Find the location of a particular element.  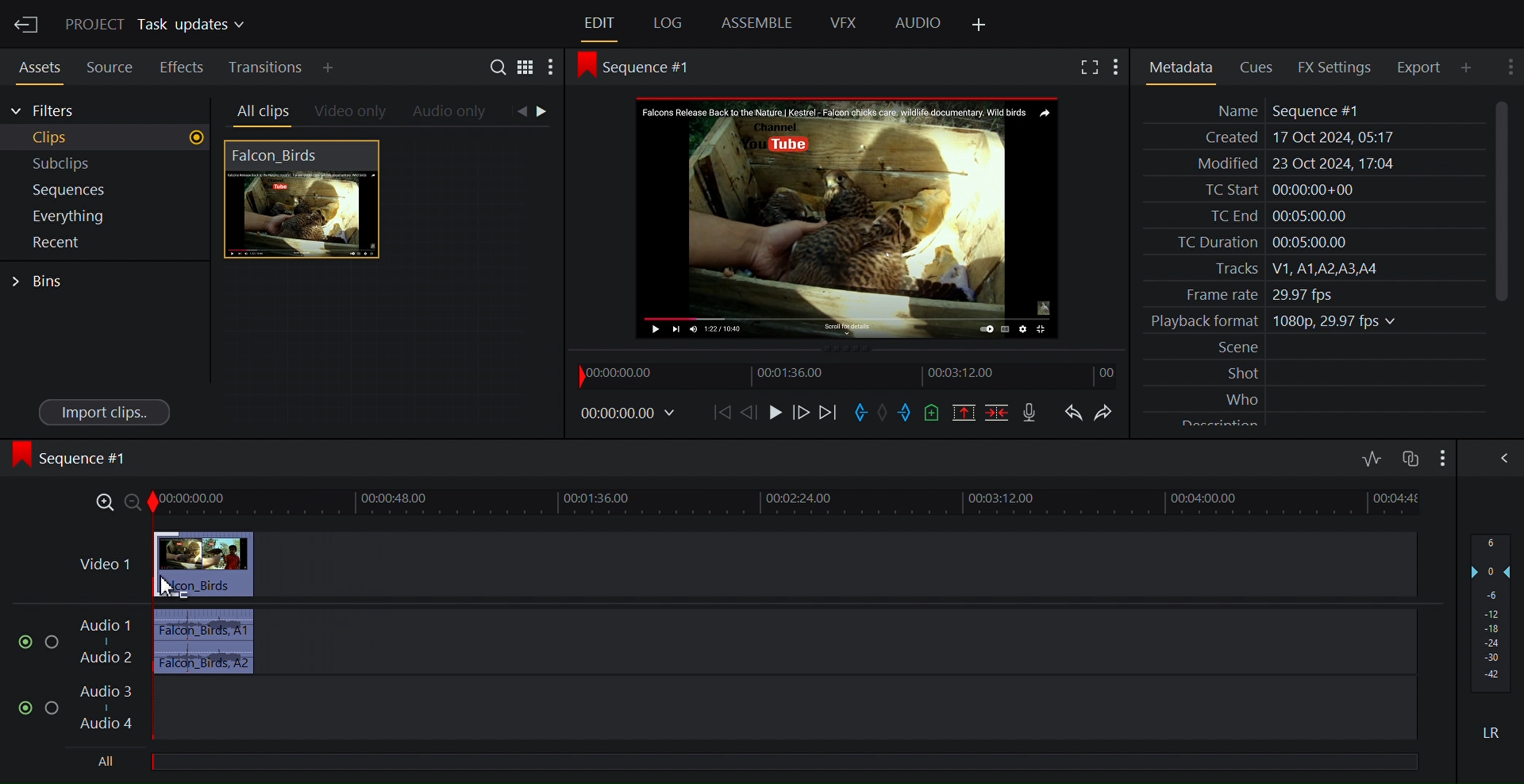

Undo  is located at coordinates (1073, 413).